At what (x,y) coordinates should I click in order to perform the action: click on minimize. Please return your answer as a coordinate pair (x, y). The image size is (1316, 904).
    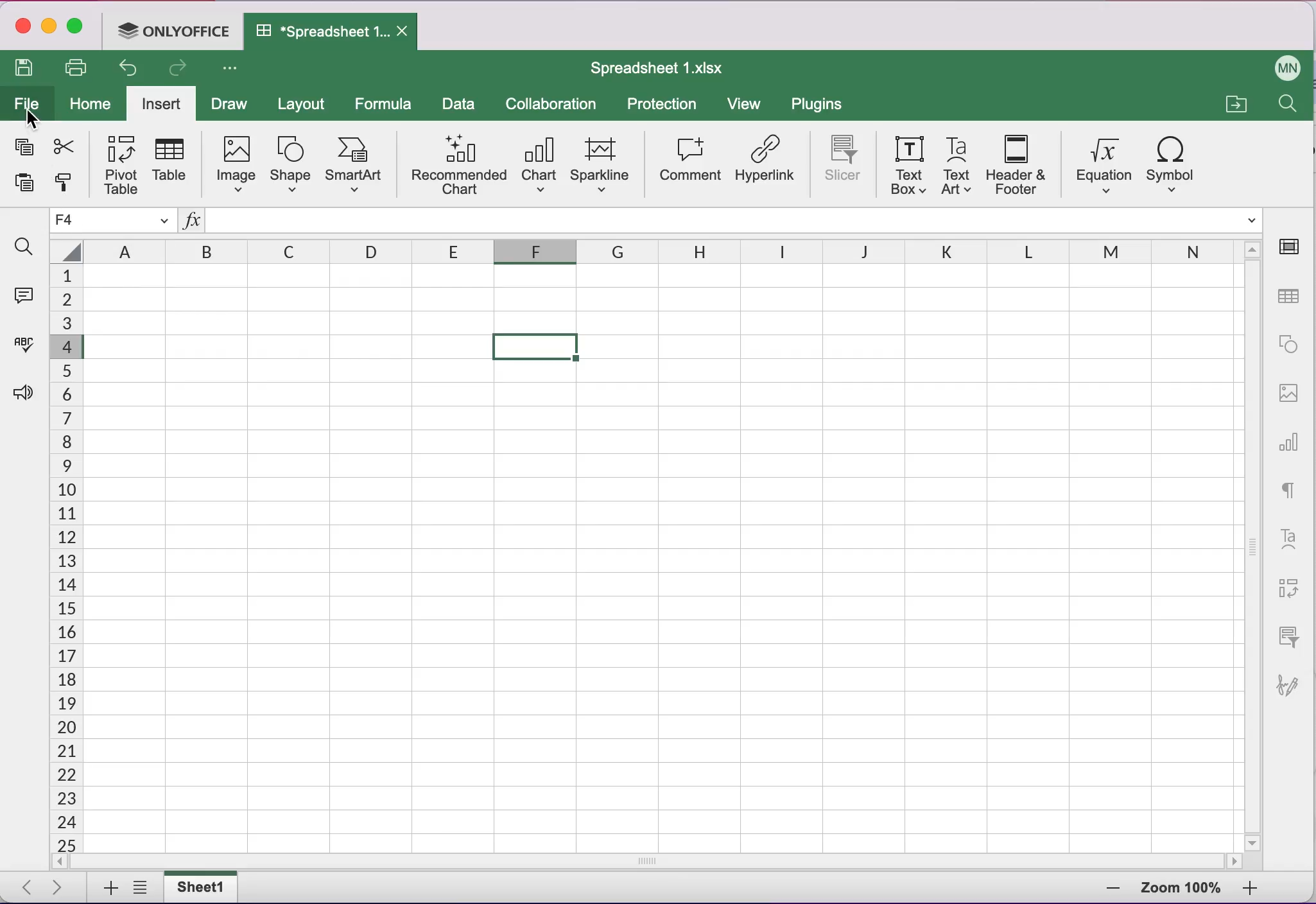
    Looking at the image, I should click on (49, 27).